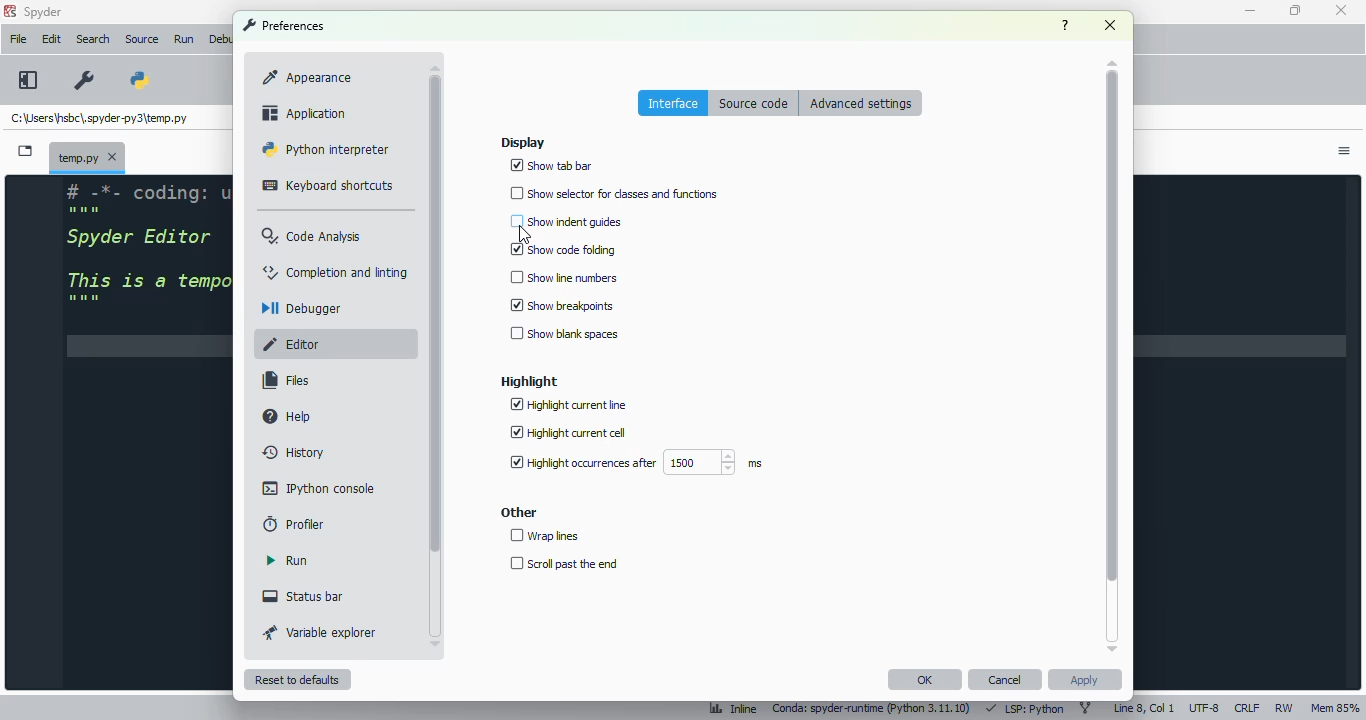 The width and height of the screenshot is (1366, 720). I want to click on show line numbers, so click(564, 278).